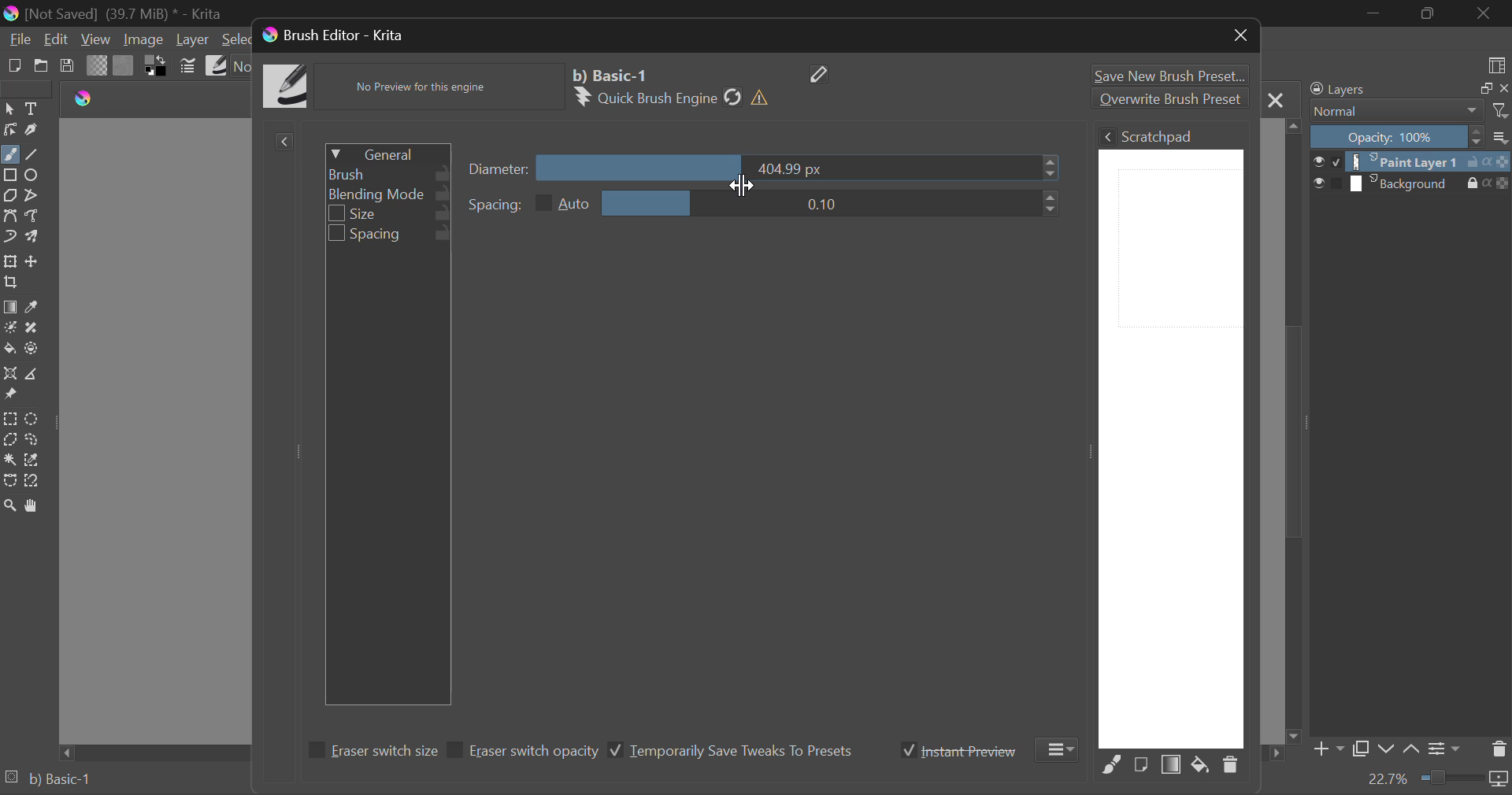  What do you see at coordinates (47, 782) in the screenshot?
I see `Brush Preset Selected` at bounding box center [47, 782].